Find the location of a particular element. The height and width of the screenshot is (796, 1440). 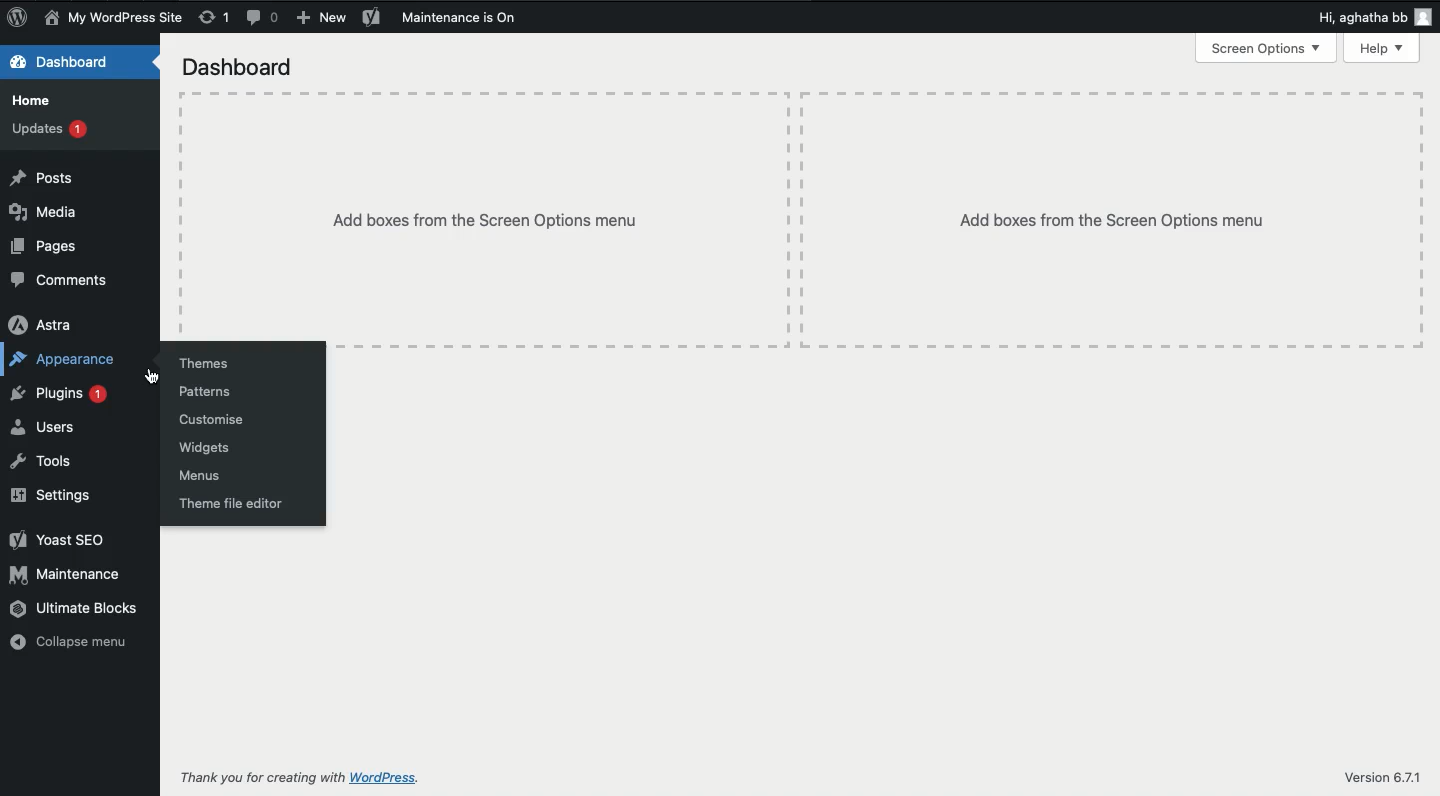

Site is located at coordinates (111, 18).